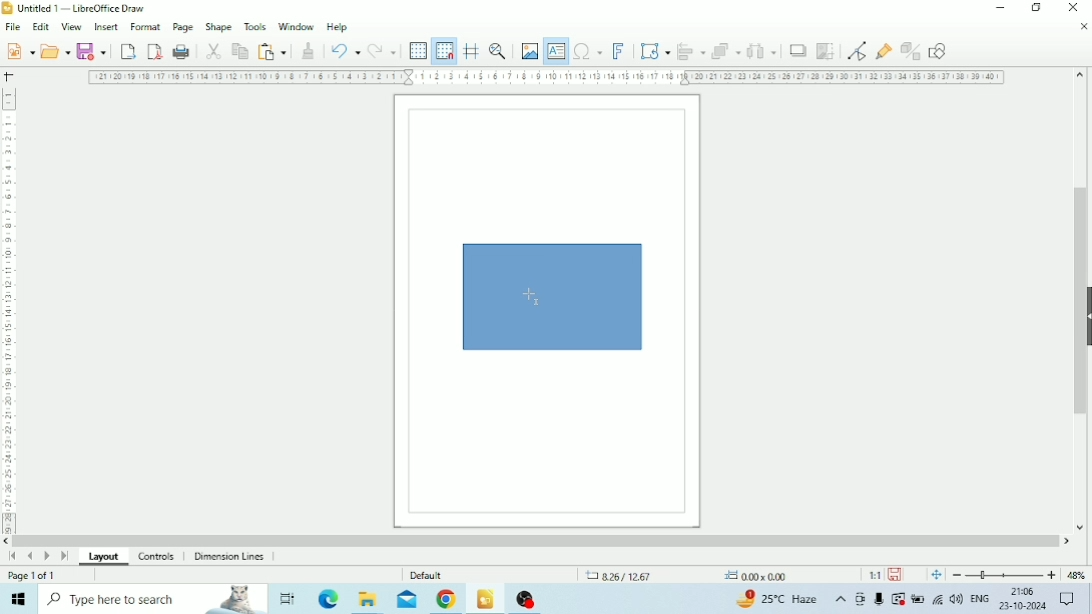 The image size is (1092, 614). I want to click on Toggle Point Edit Mode, so click(858, 52).